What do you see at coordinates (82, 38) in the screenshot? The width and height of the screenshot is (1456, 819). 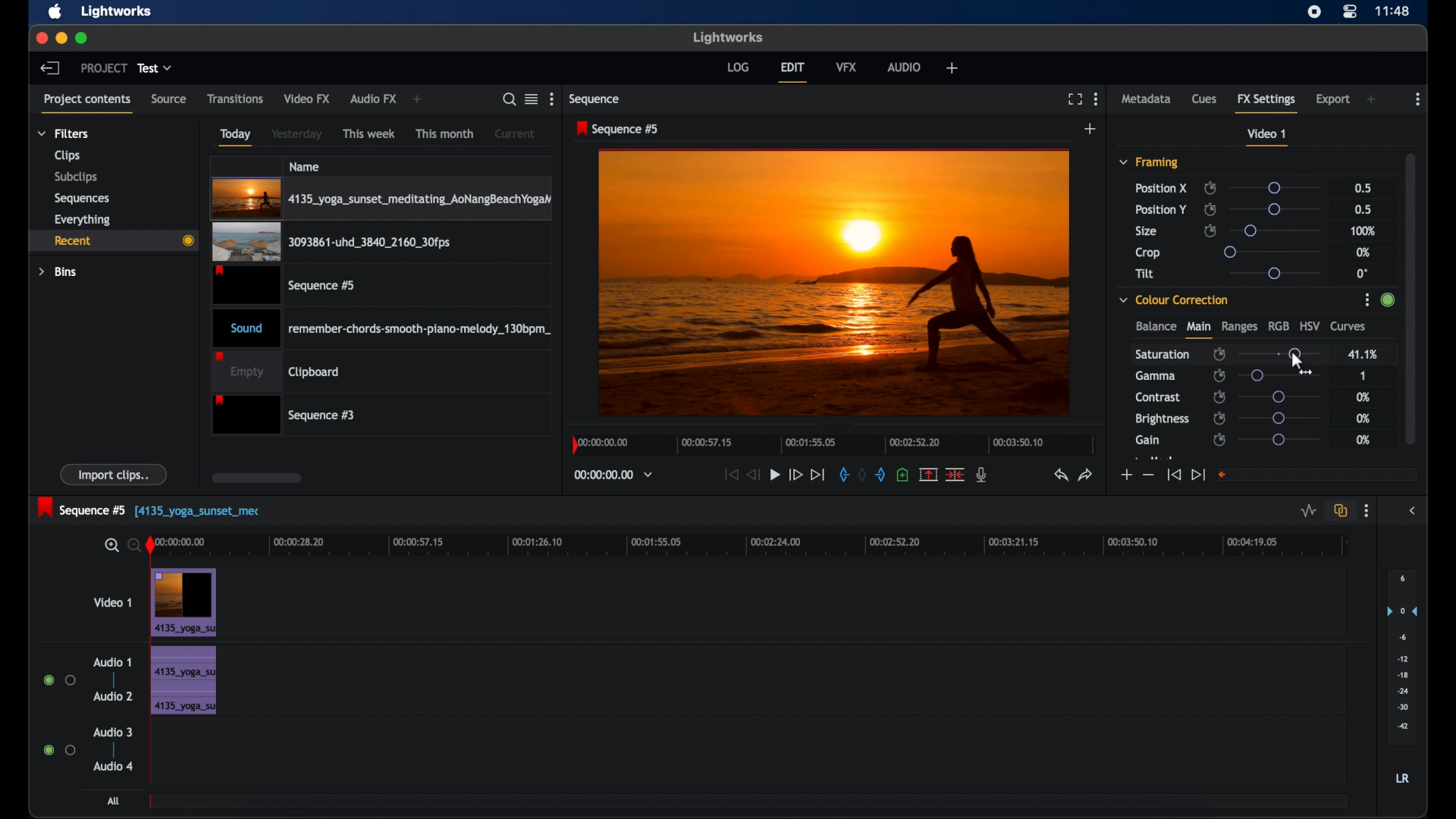 I see `maximize` at bounding box center [82, 38].